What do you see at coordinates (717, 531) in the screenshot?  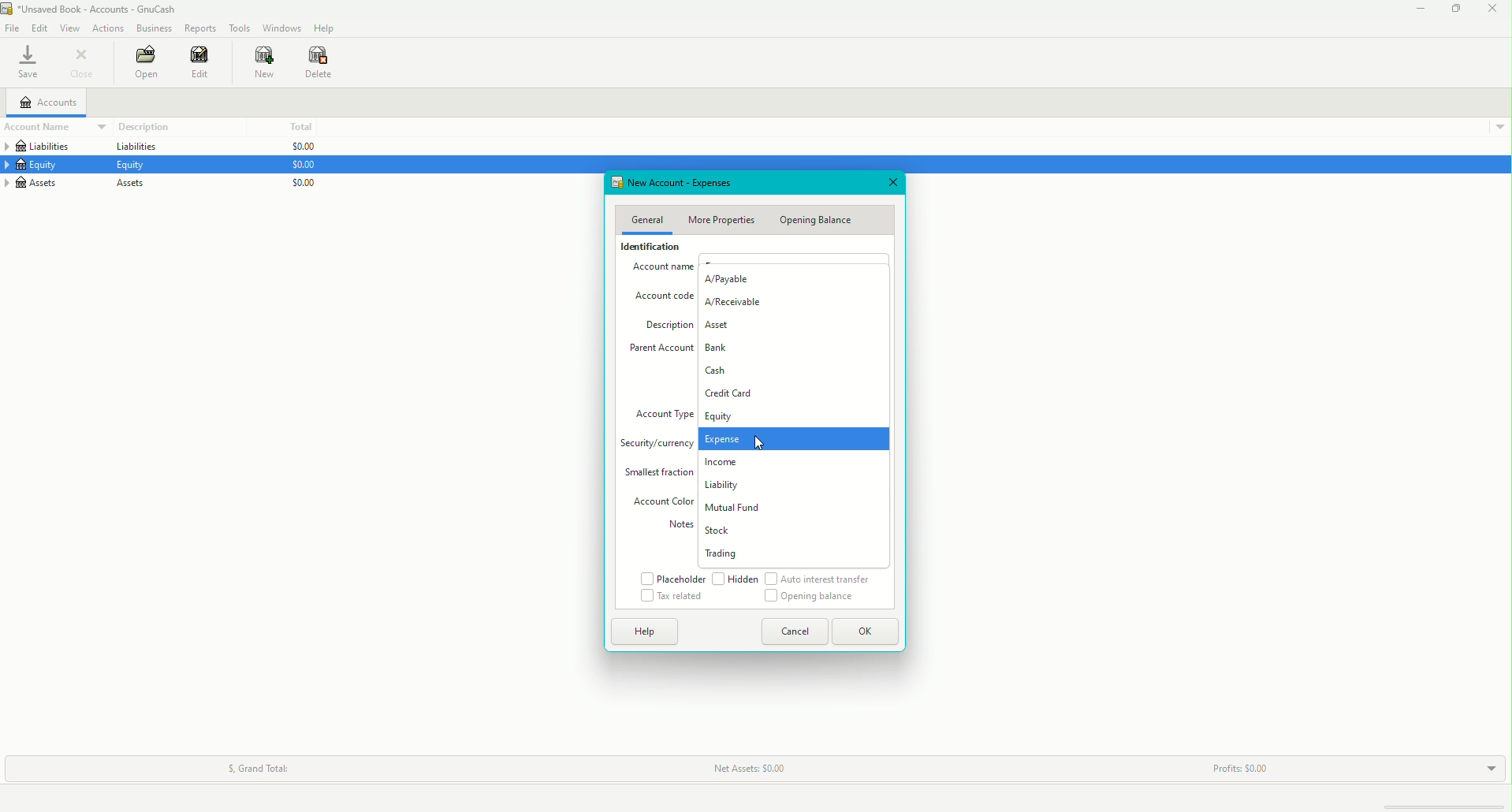 I see `Stock` at bounding box center [717, 531].